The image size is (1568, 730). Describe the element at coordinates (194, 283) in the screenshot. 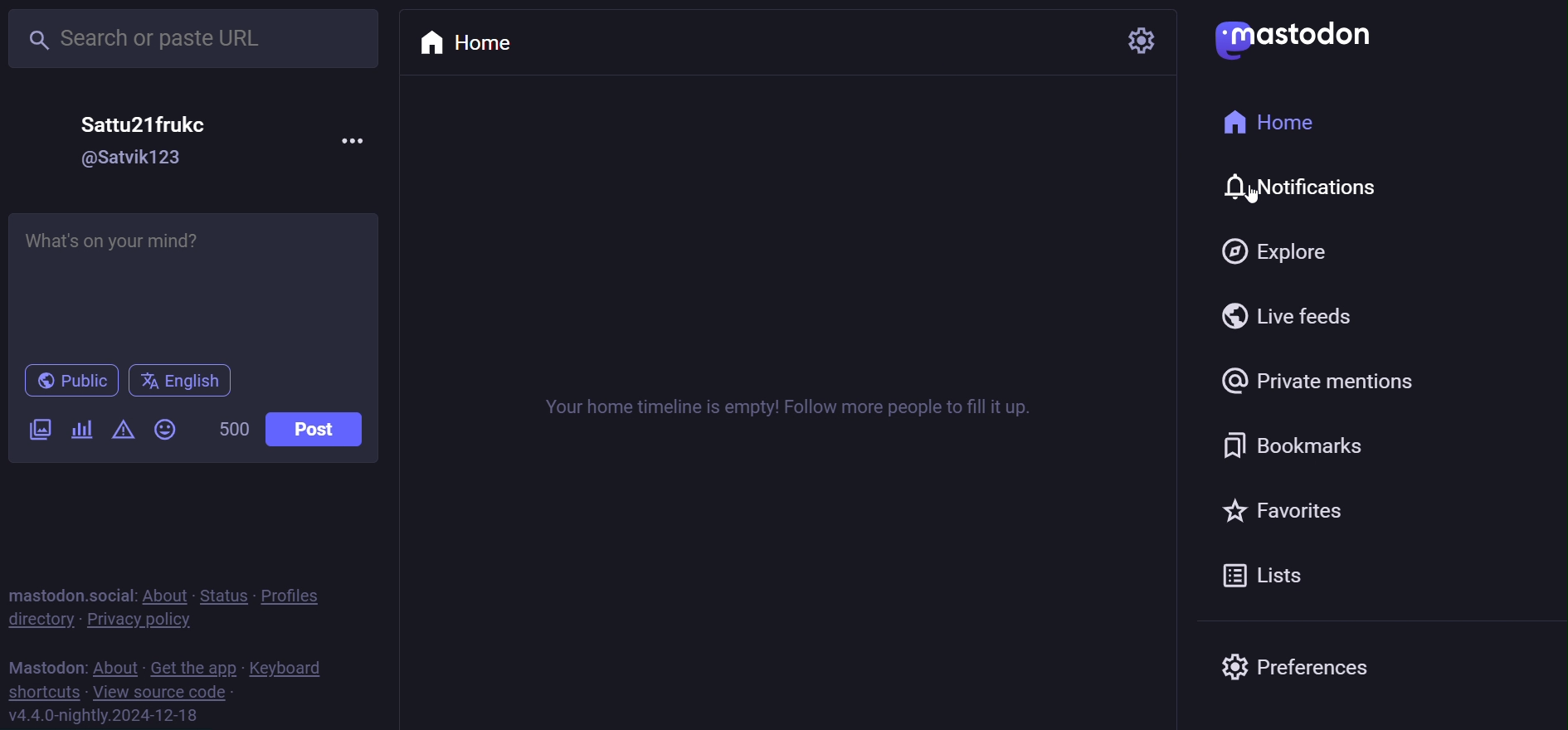

I see `What's on your mind` at that location.